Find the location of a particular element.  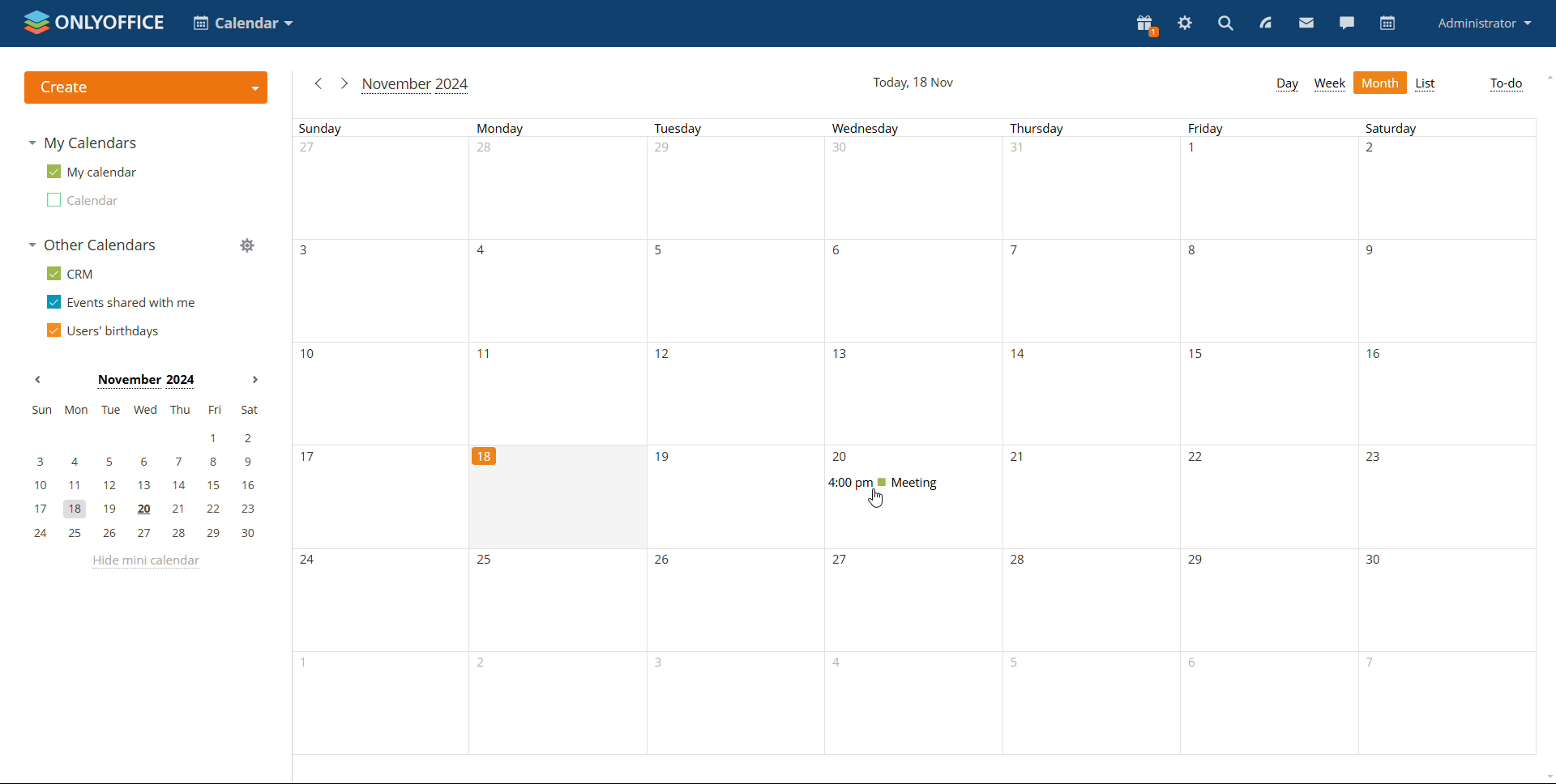

scheduled event  is located at coordinates (908, 483).